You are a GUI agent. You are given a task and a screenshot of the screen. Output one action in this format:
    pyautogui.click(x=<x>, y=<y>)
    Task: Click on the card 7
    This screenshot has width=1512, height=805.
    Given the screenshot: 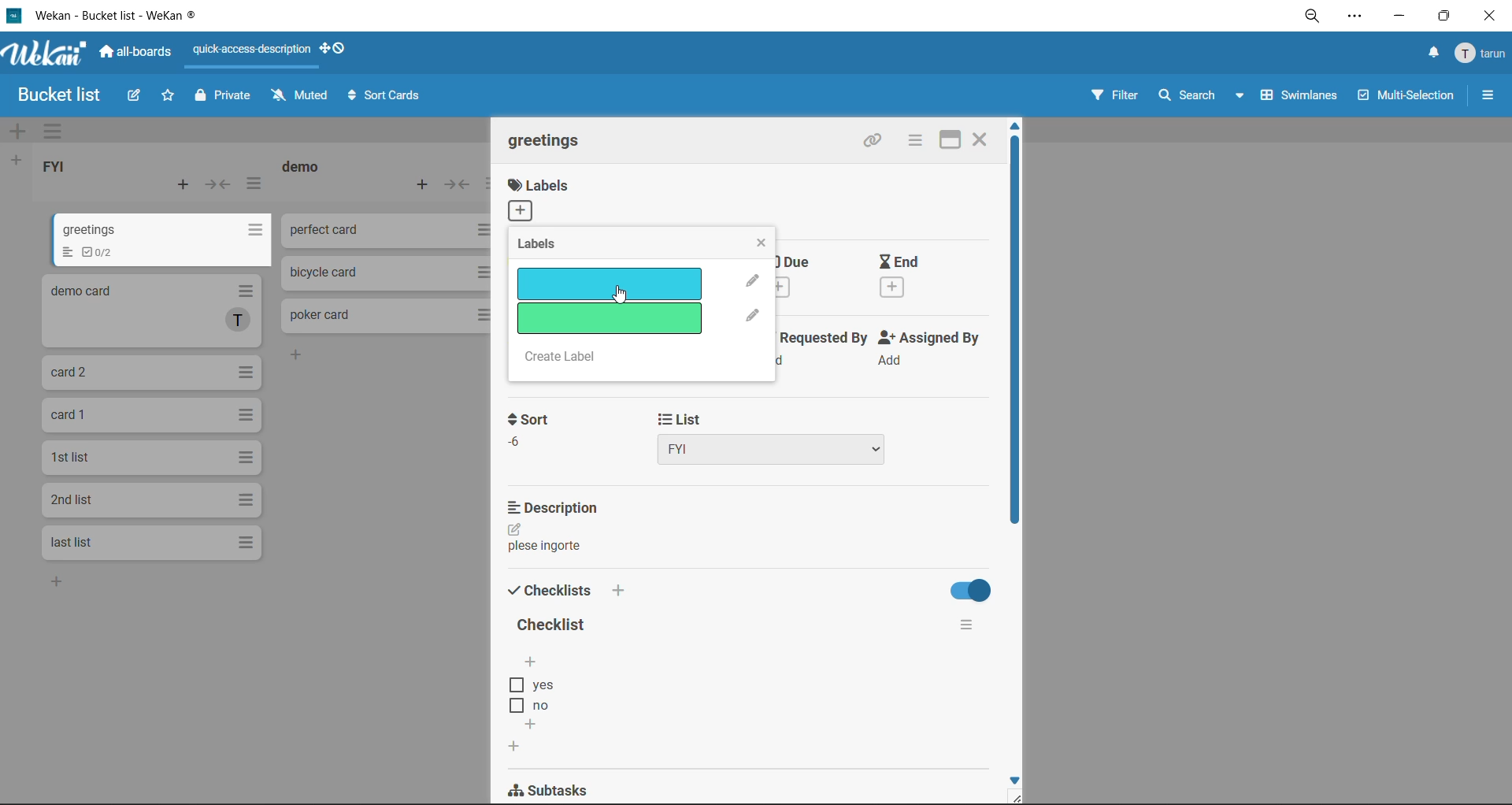 What is the action you would take?
    pyautogui.click(x=147, y=542)
    